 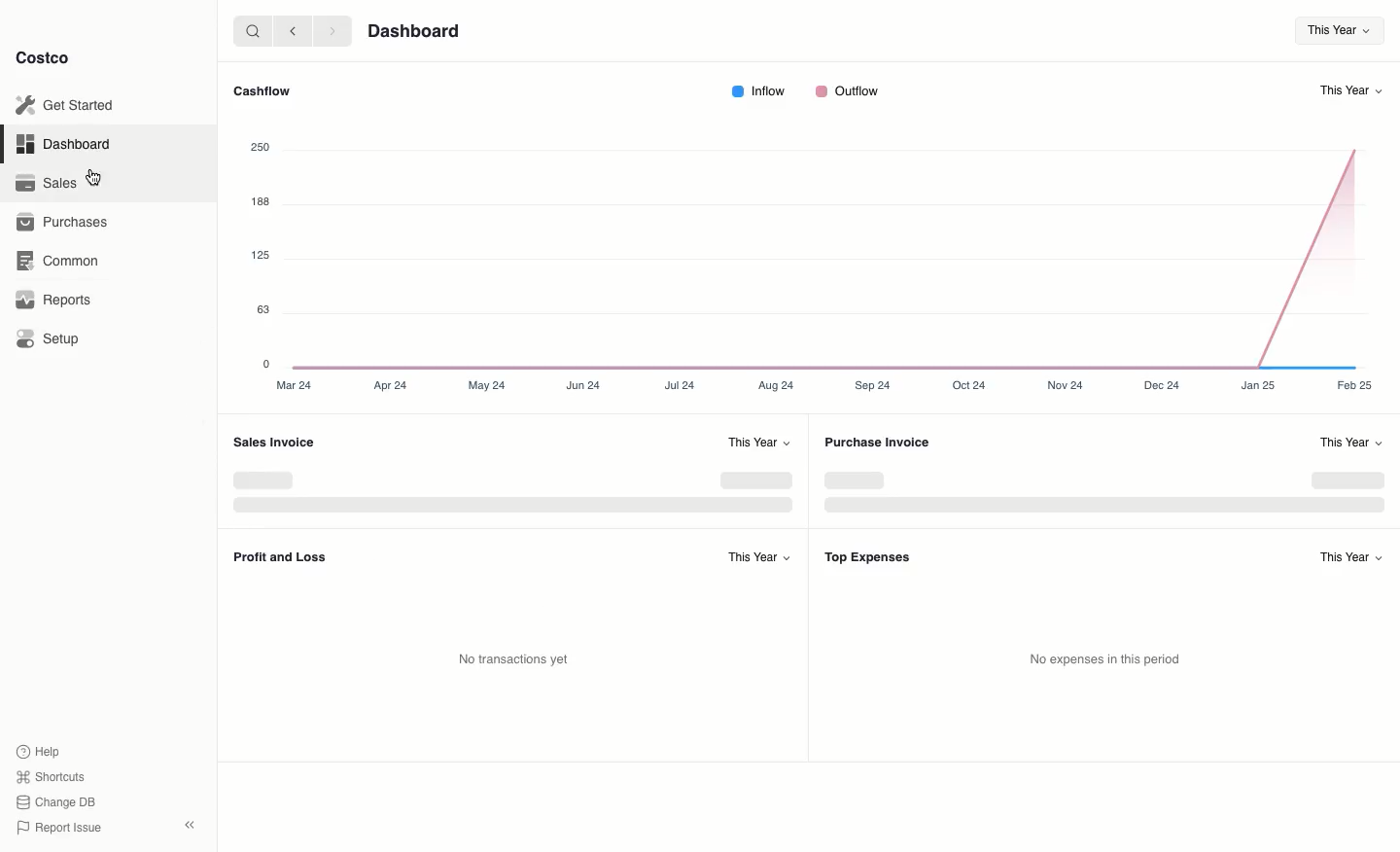 What do you see at coordinates (1333, 31) in the screenshot?
I see `This Year` at bounding box center [1333, 31].